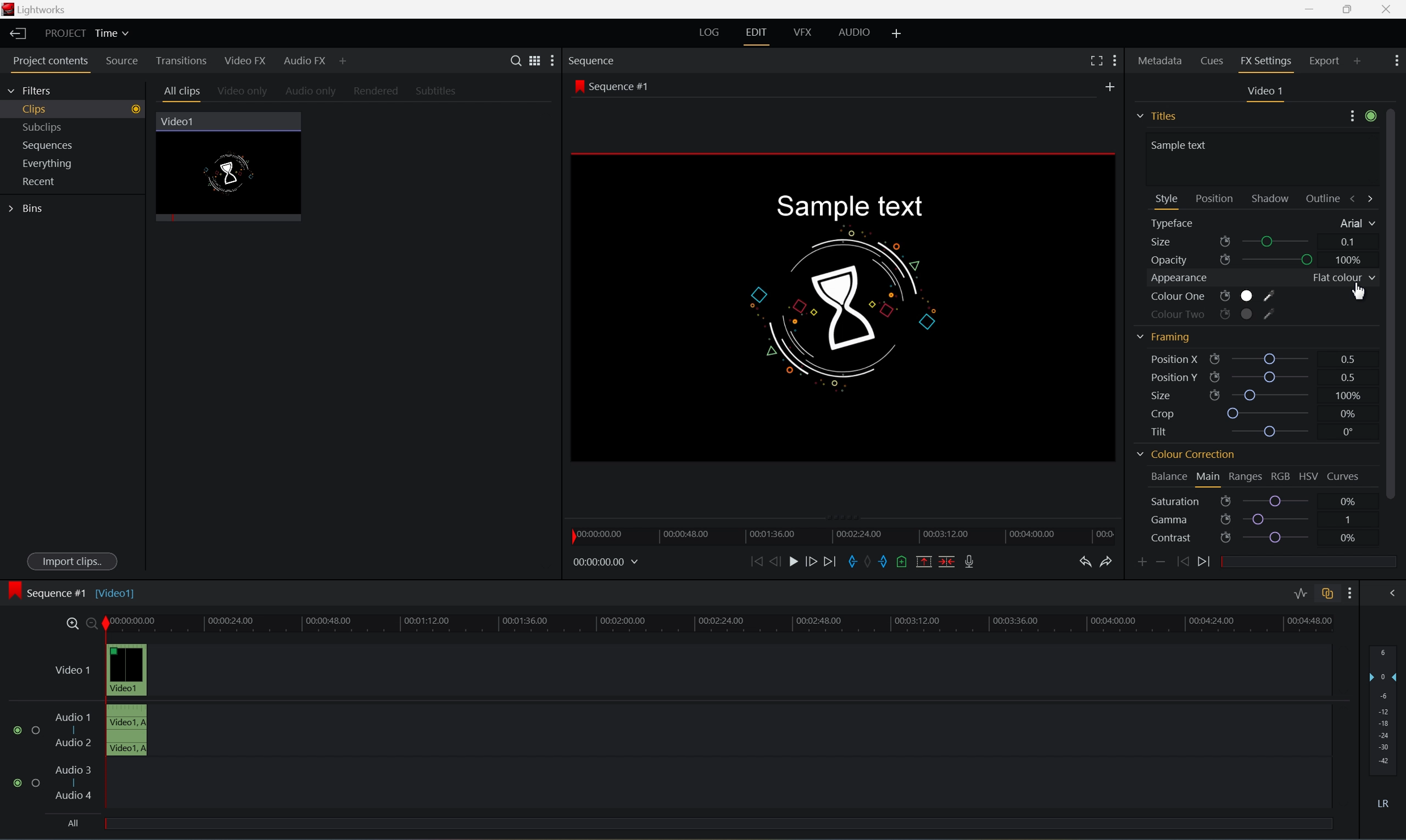  Describe the element at coordinates (71, 623) in the screenshot. I see `zoom in` at that location.